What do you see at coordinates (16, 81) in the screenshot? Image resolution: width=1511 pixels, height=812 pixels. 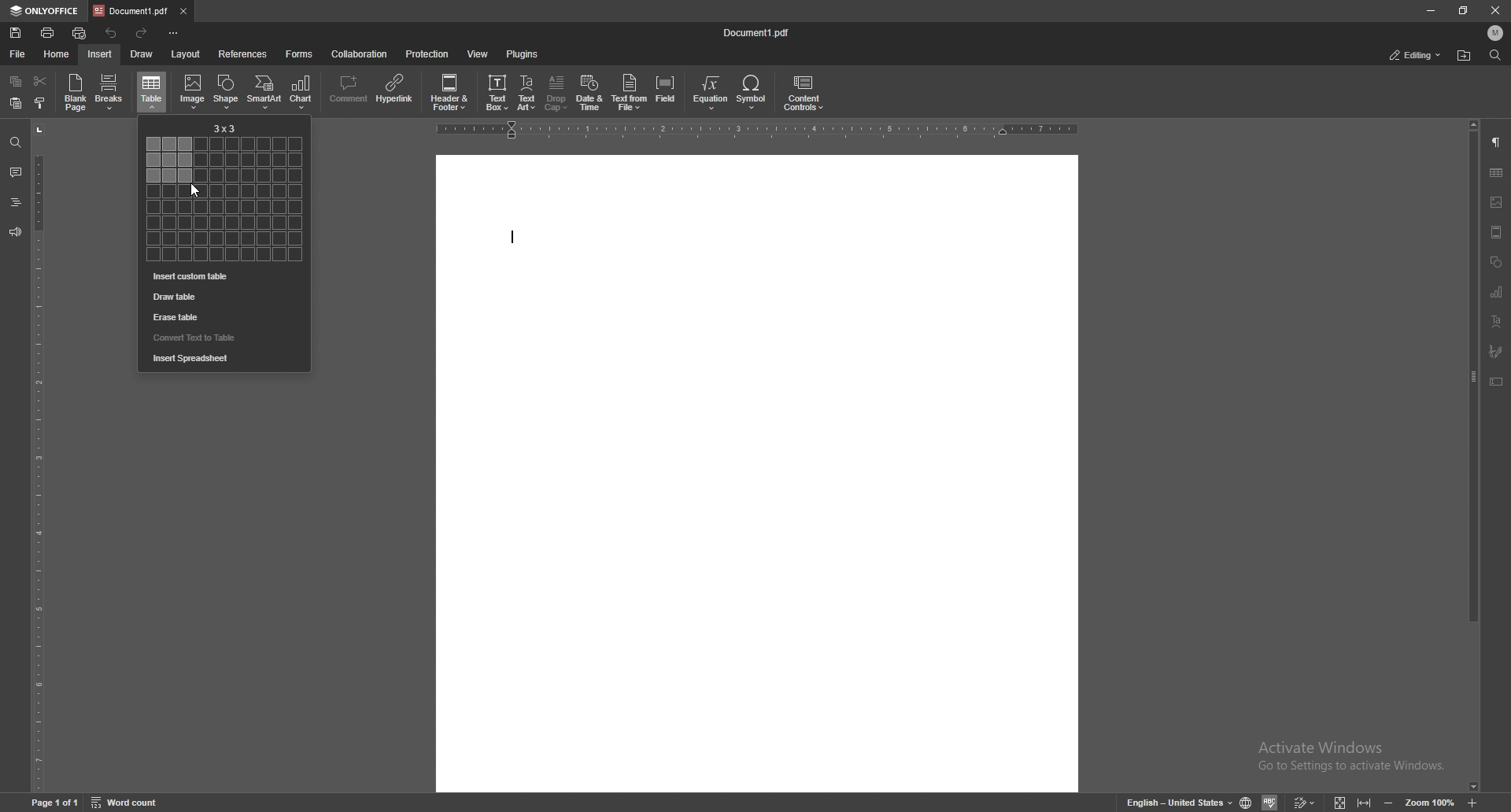 I see `copy` at bounding box center [16, 81].